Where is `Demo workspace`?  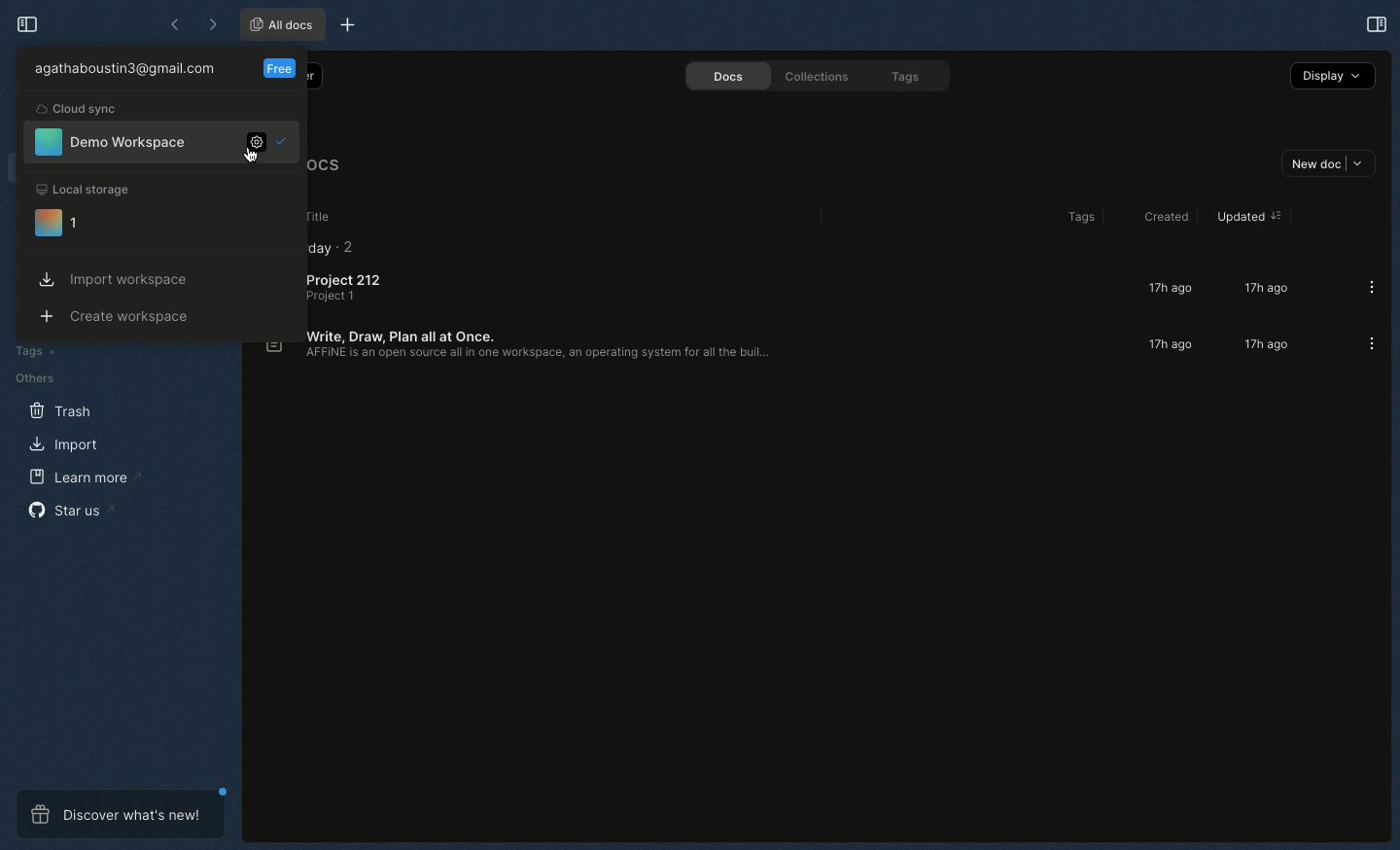
Demo workspace is located at coordinates (109, 143).